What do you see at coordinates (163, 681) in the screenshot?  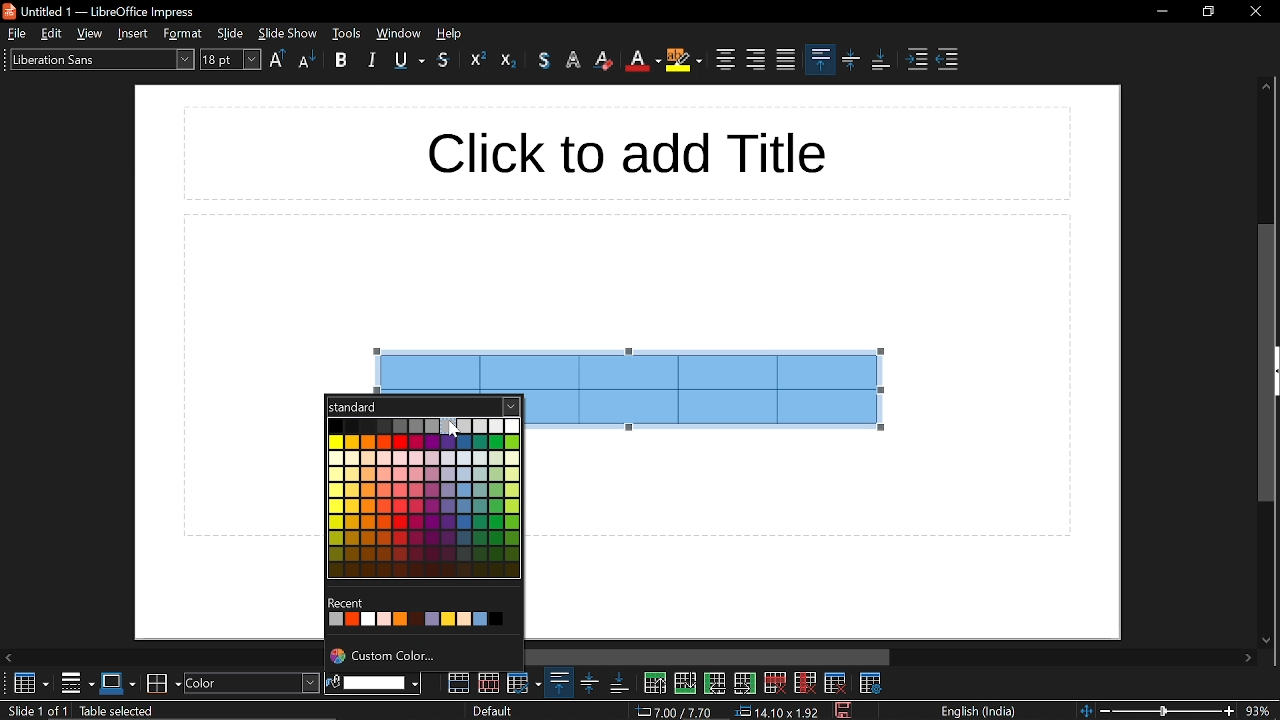 I see `border color` at bounding box center [163, 681].